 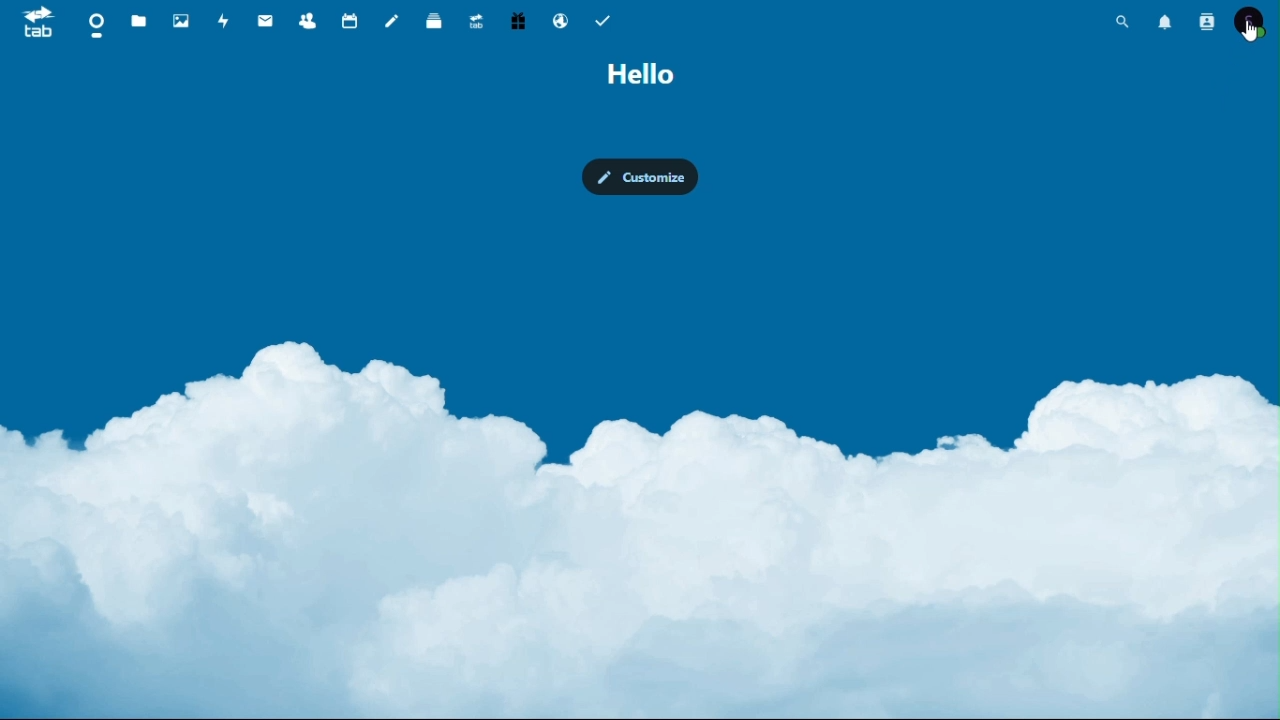 What do you see at coordinates (180, 19) in the screenshot?
I see `photos` at bounding box center [180, 19].